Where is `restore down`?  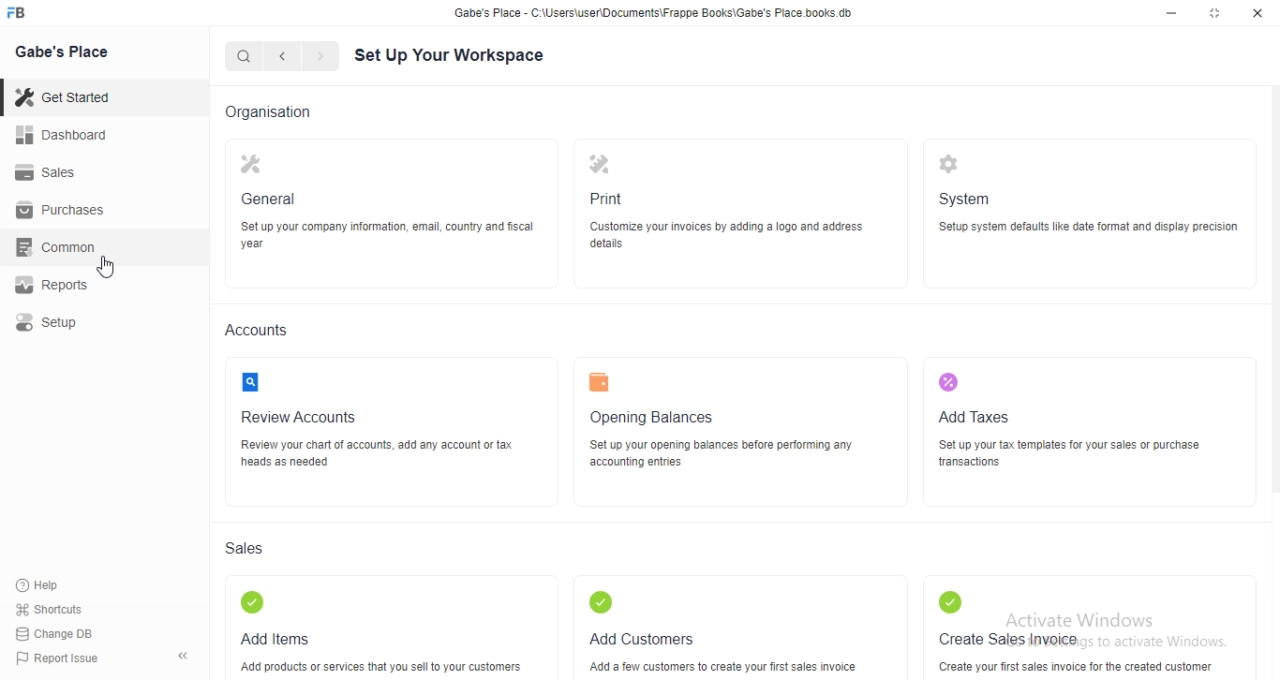
restore down is located at coordinates (1216, 15).